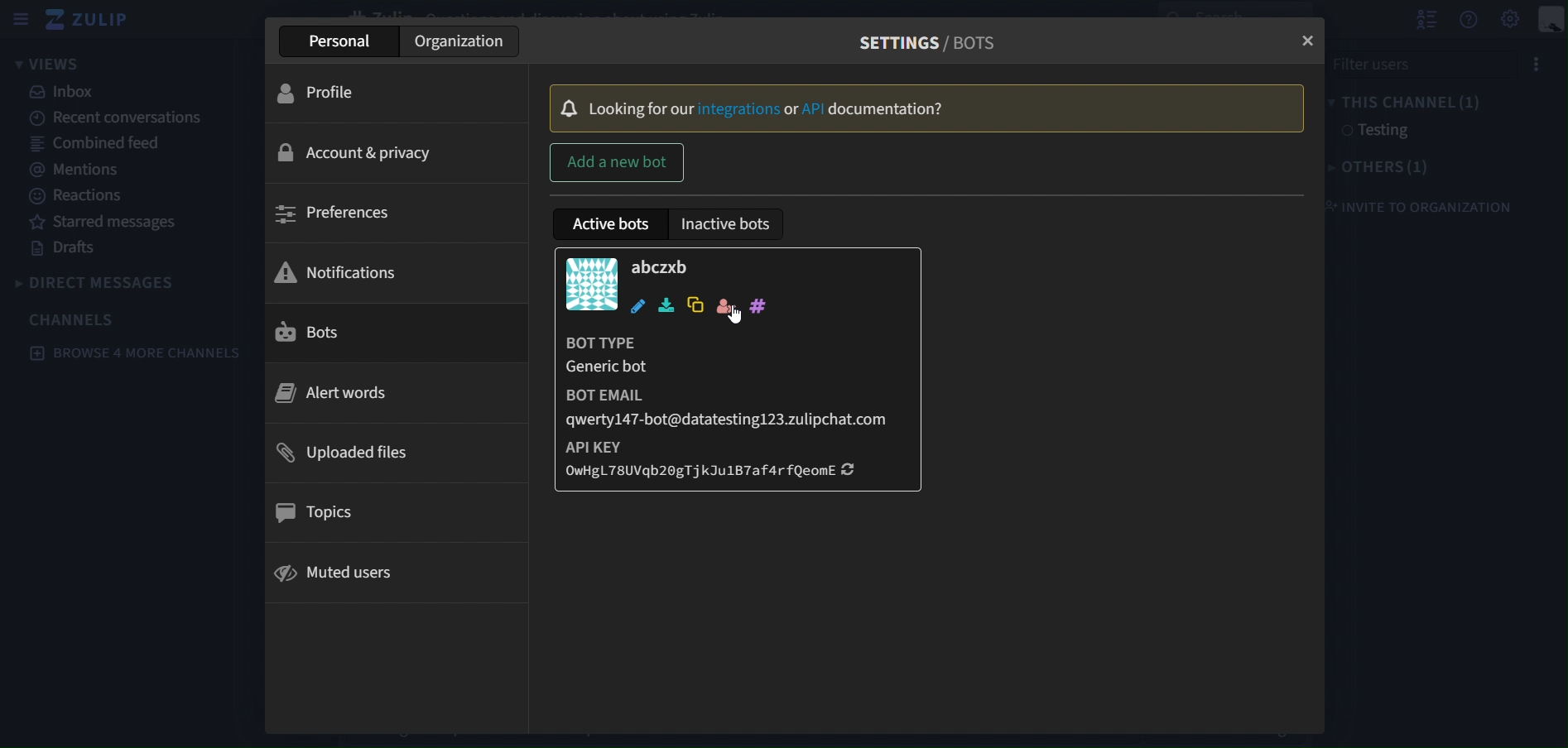 The image size is (1568, 748). I want to click on testing, so click(1374, 132).